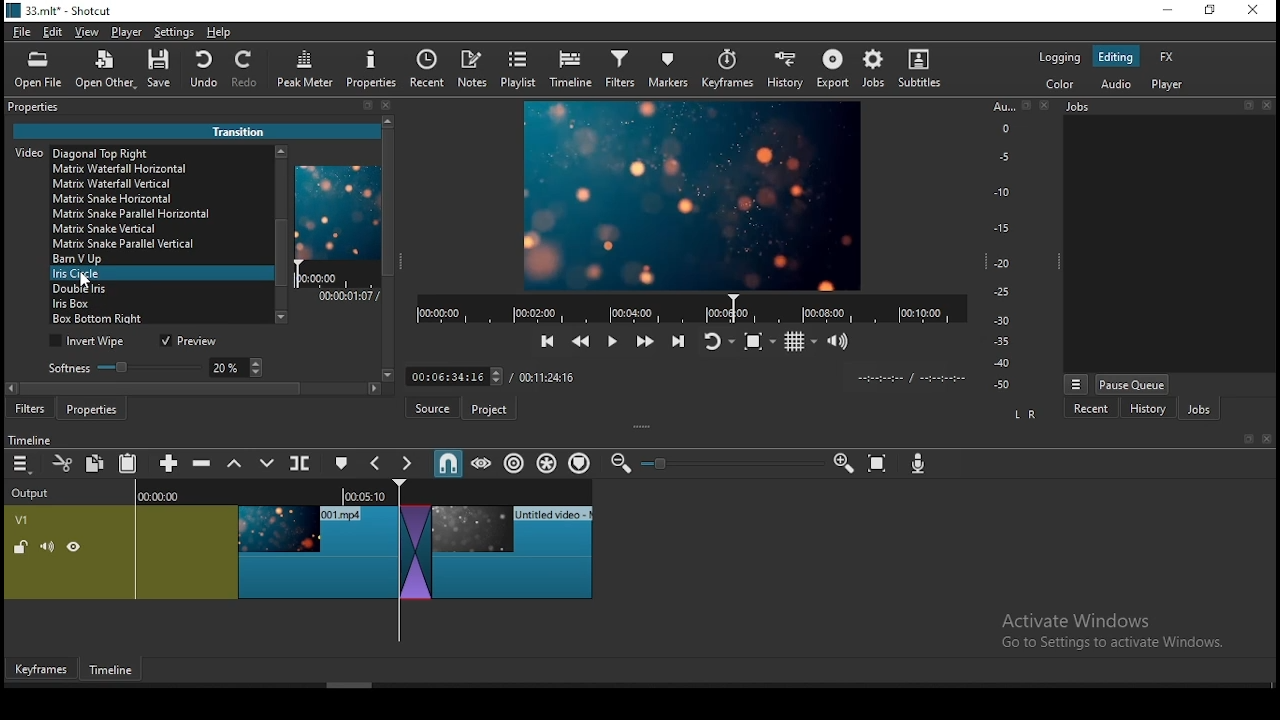 The width and height of the screenshot is (1280, 720). I want to click on create/edit marker, so click(344, 464).